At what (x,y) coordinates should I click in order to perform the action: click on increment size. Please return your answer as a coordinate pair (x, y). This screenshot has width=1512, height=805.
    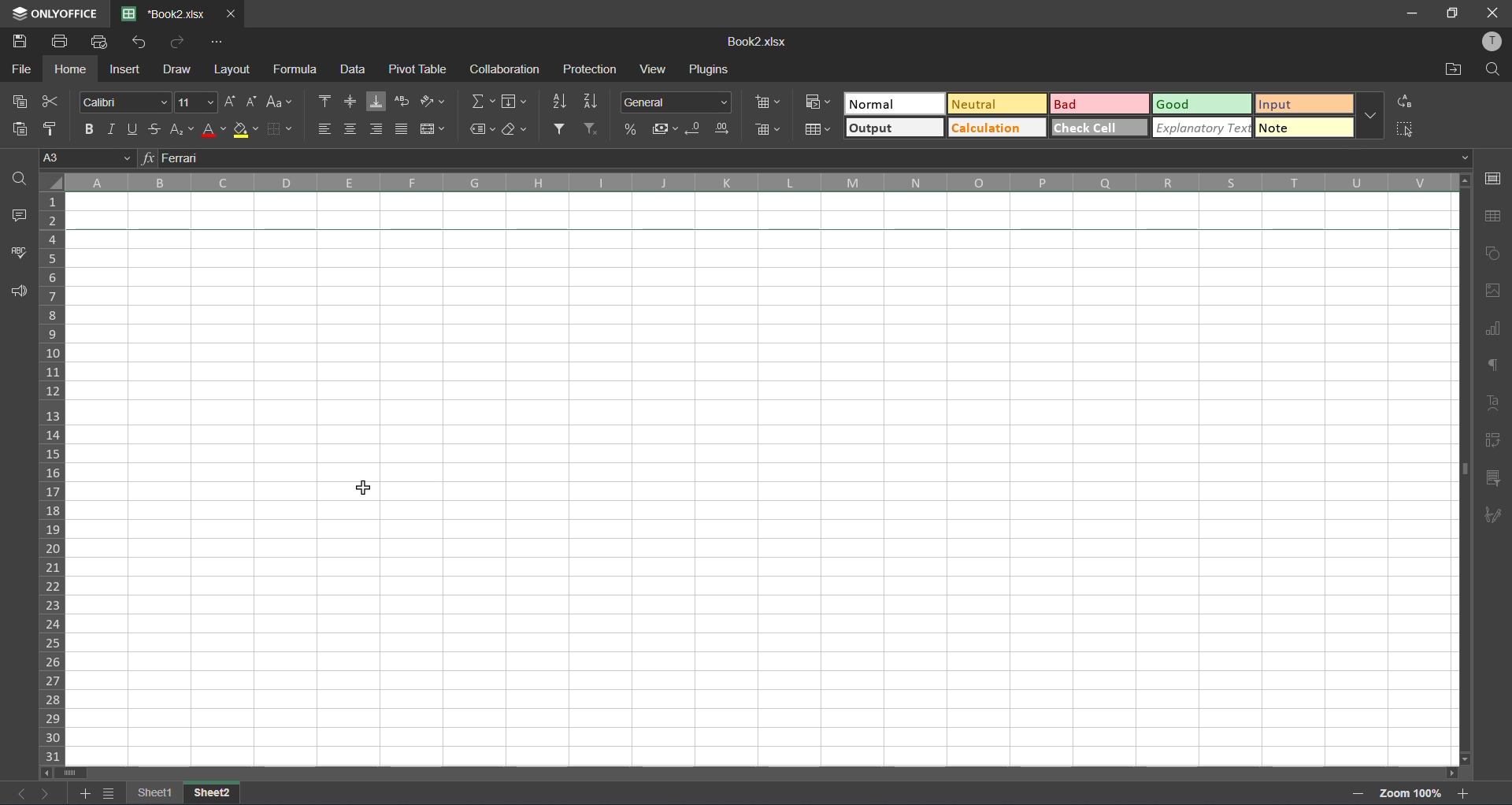
    Looking at the image, I should click on (230, 102).